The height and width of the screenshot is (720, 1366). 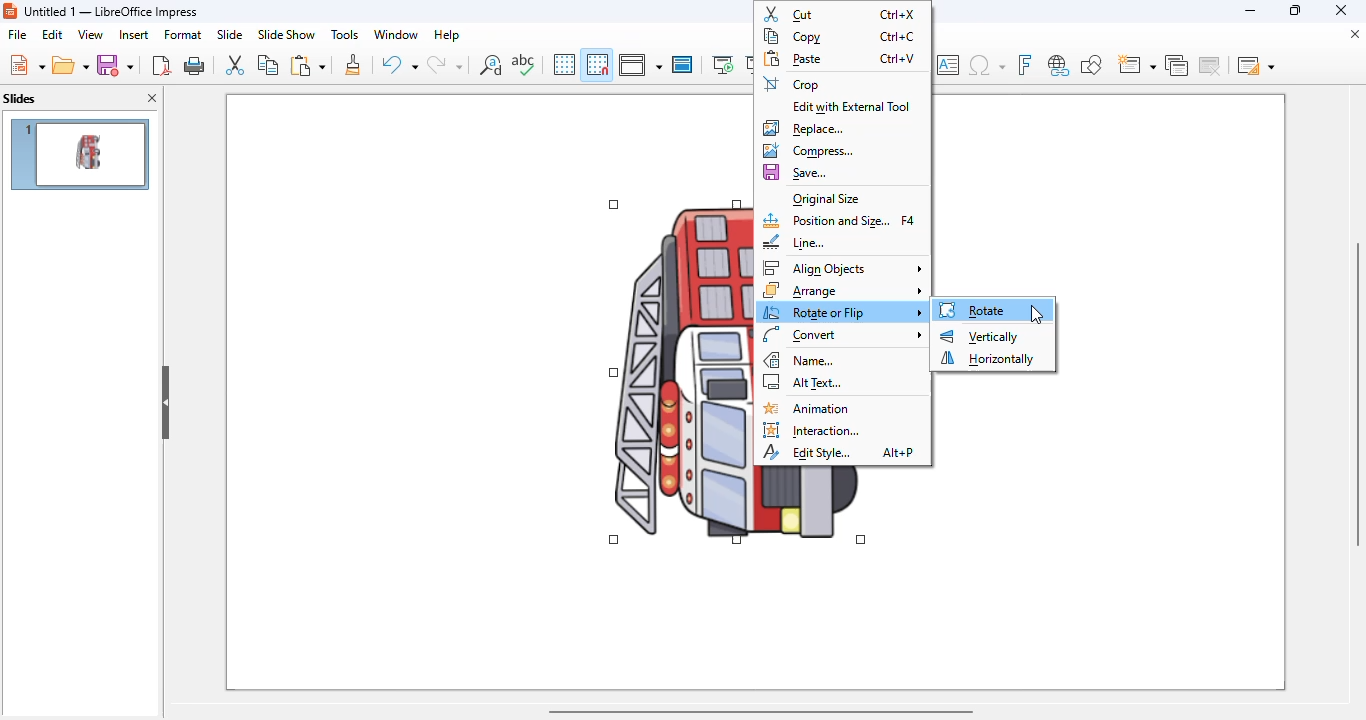 What do you see at coordinates (1137, 64) in the screenshot?
I see `new slide` at bounding box center [1137, 64].